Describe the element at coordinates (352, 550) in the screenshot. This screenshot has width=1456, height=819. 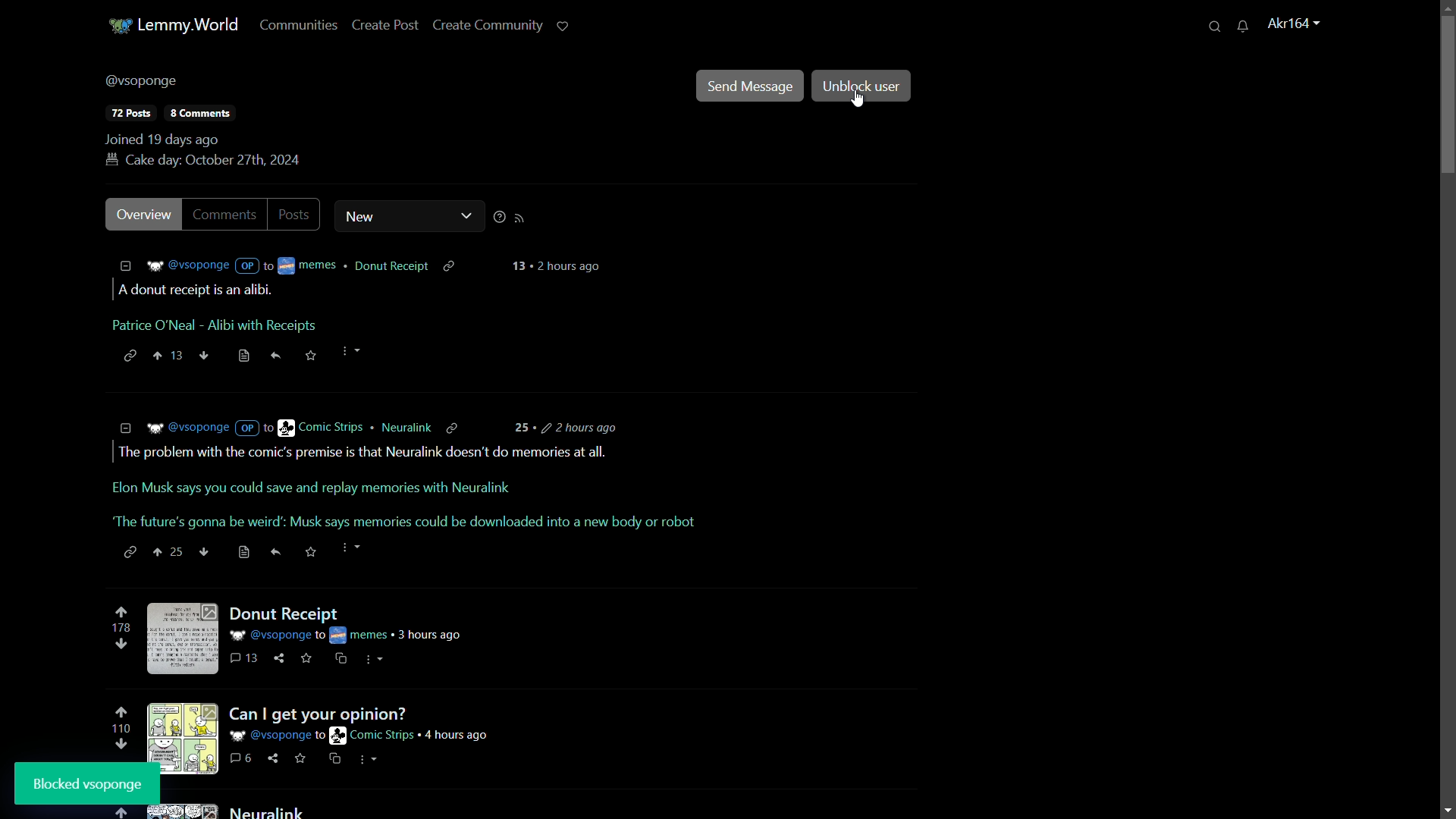
I see `more` at that location.